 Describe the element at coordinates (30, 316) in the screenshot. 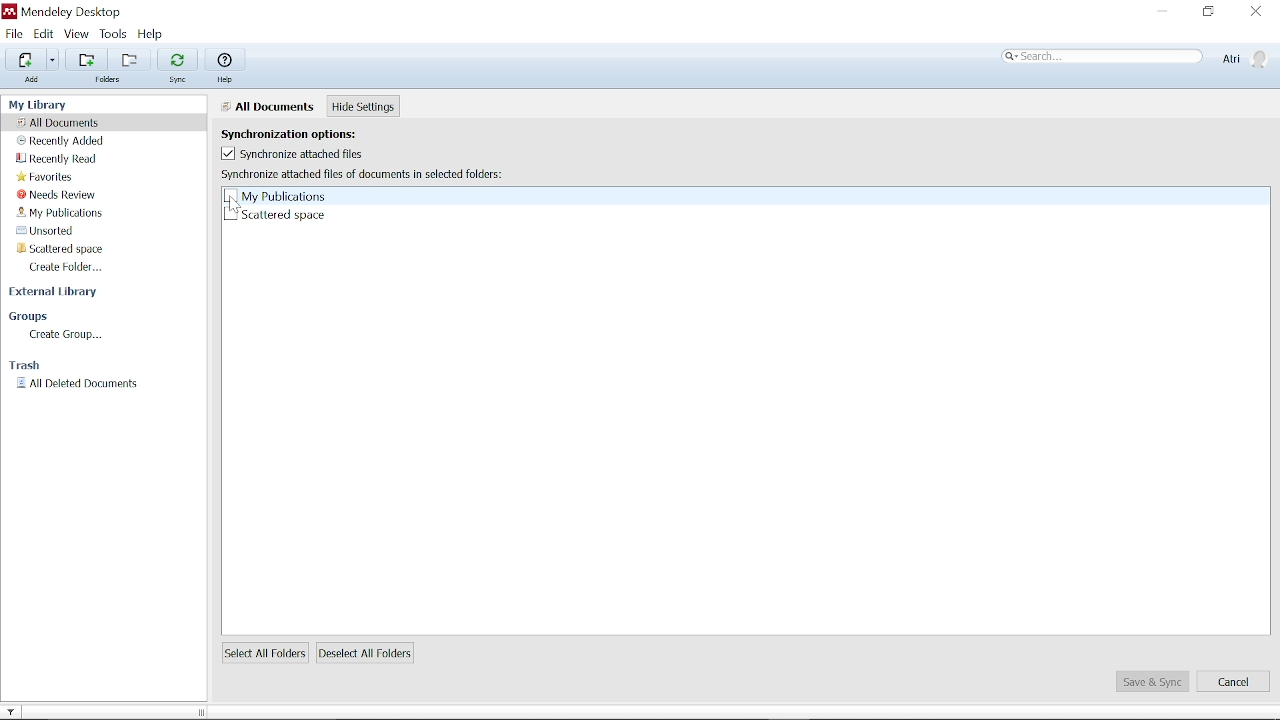

I see `Groups` at that location.